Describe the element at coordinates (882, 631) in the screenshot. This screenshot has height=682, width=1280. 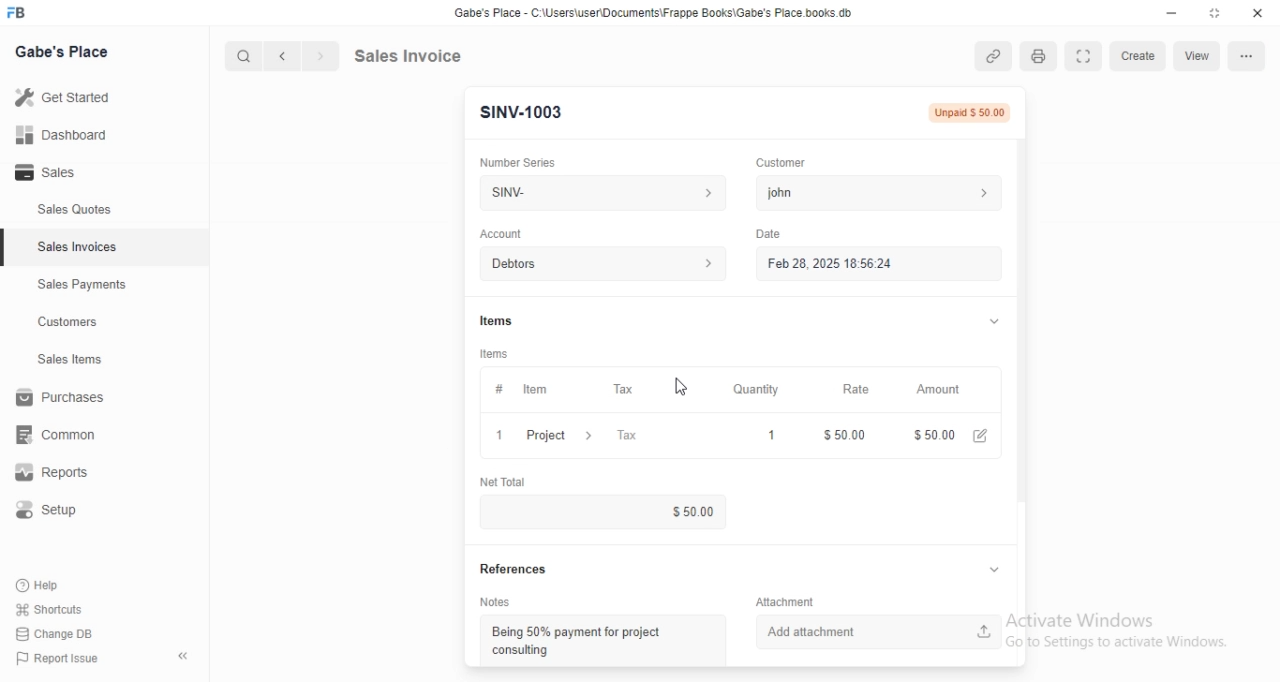
I see `Add attachment` at that location.